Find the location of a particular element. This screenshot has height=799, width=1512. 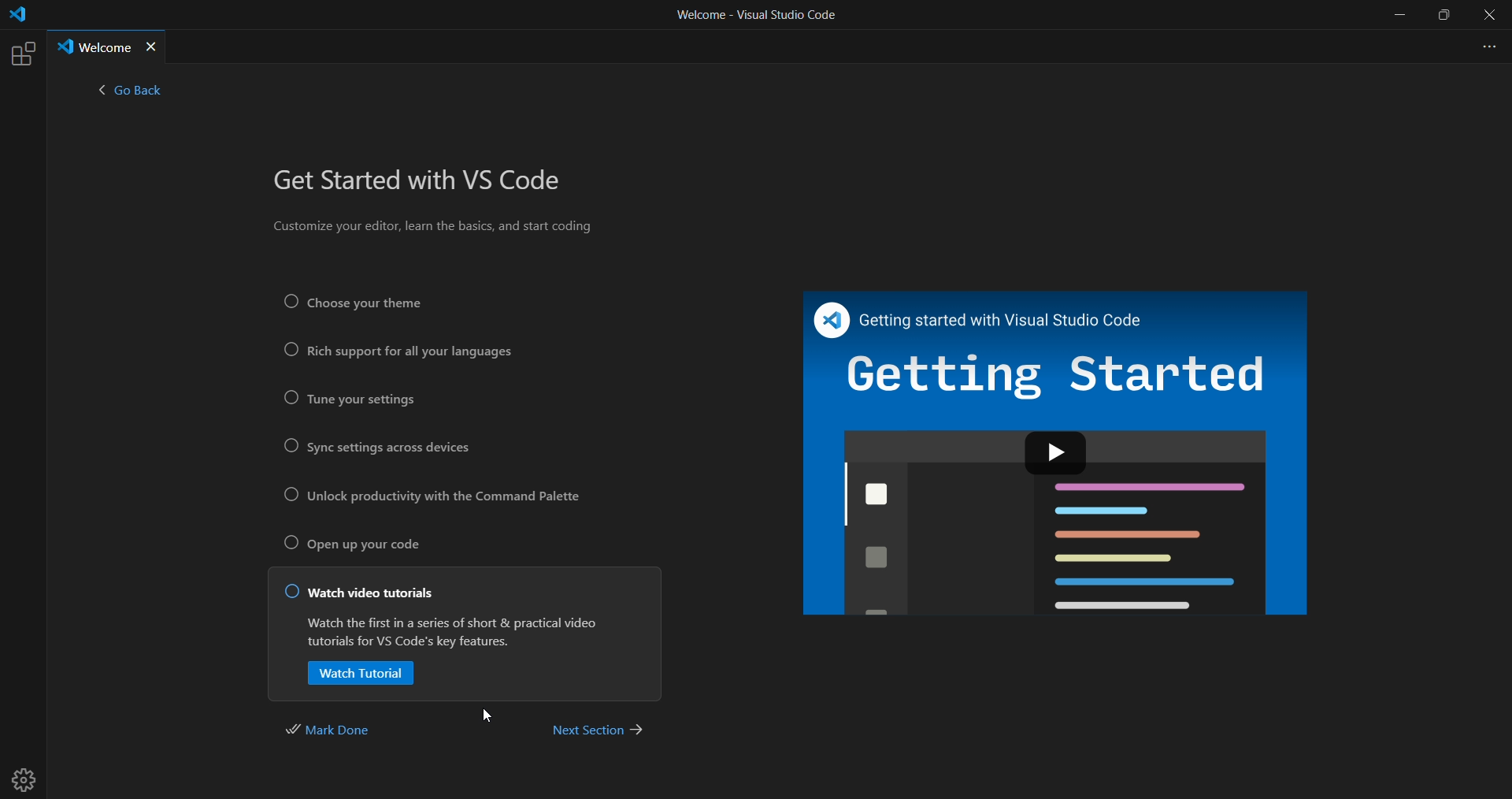

more is located at coordinates (1485, 45).